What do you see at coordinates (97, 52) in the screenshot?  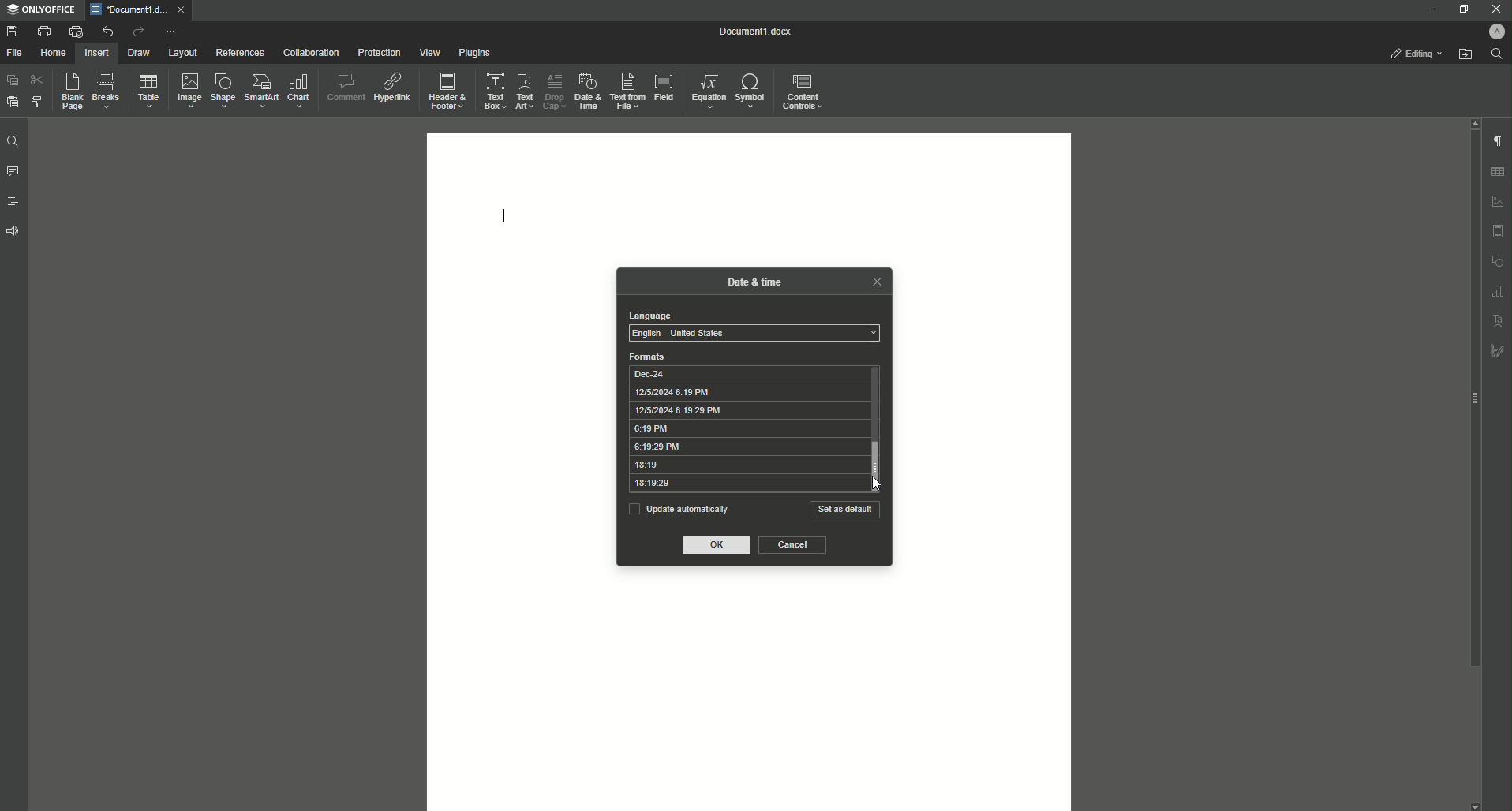 I see `Insert` at bounding box center [97, 52].